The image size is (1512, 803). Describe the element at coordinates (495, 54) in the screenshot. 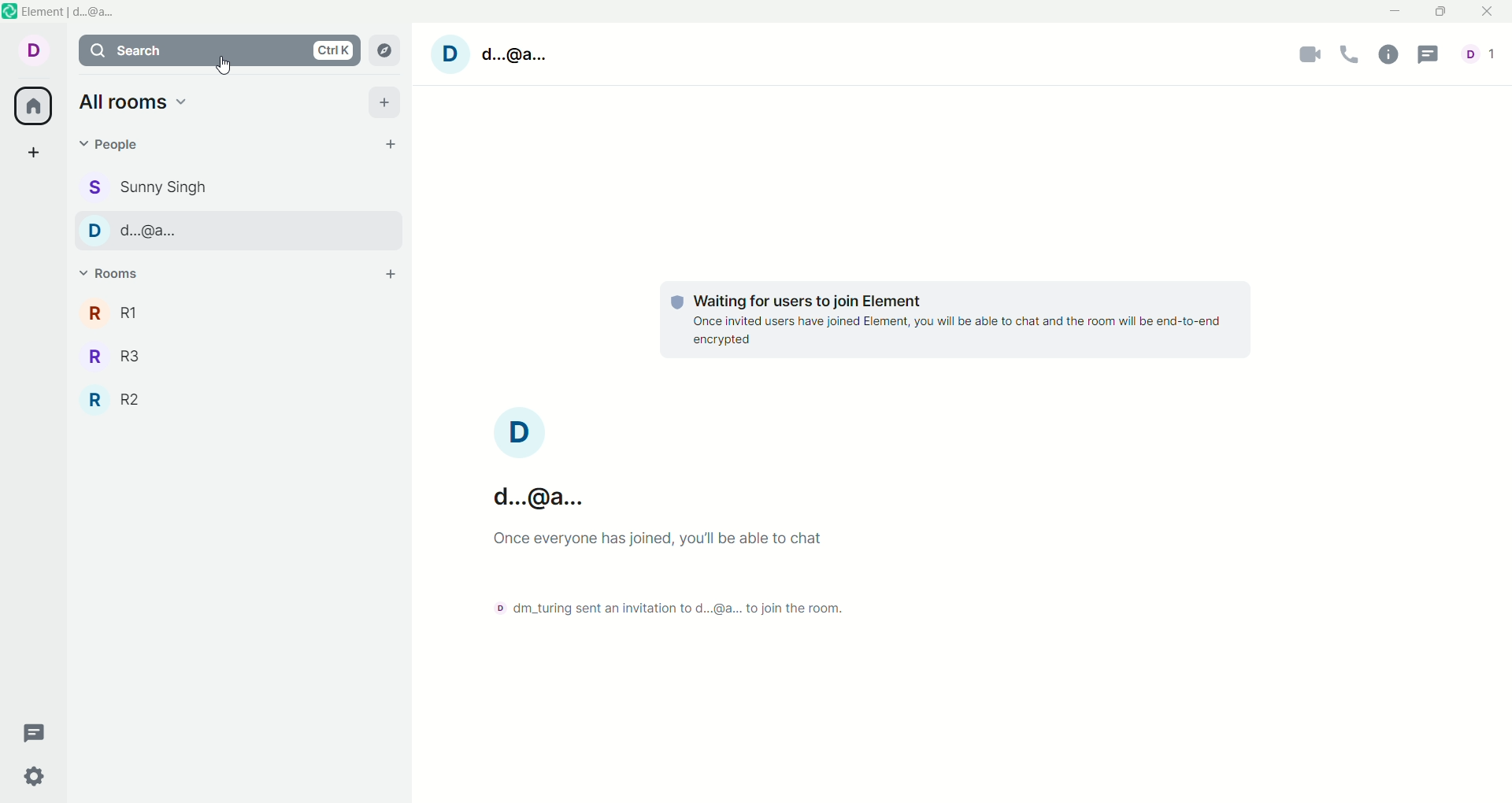

I see `account` at that location.